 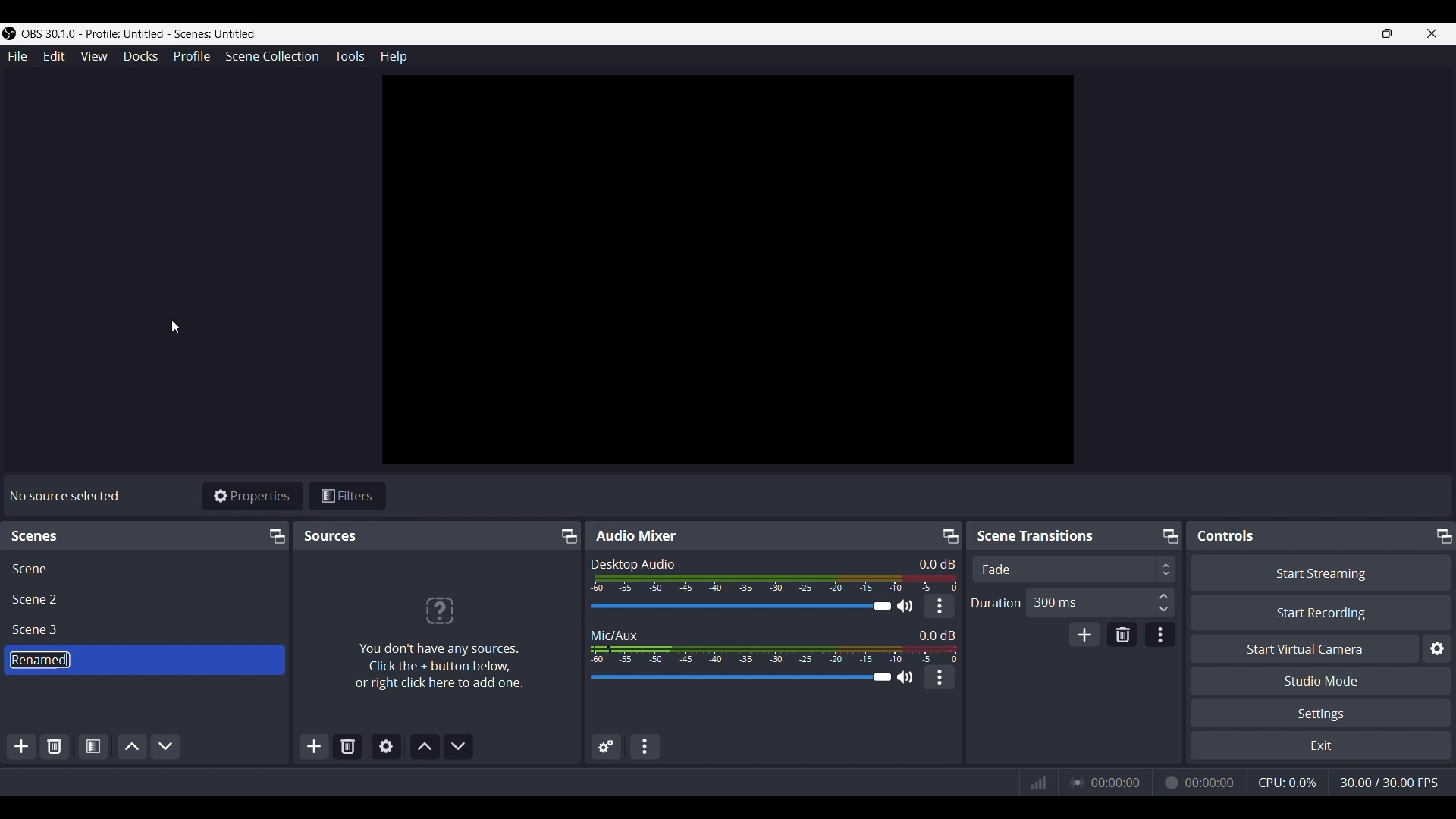 I want to click on Renamed, so click(x=39, y=660).